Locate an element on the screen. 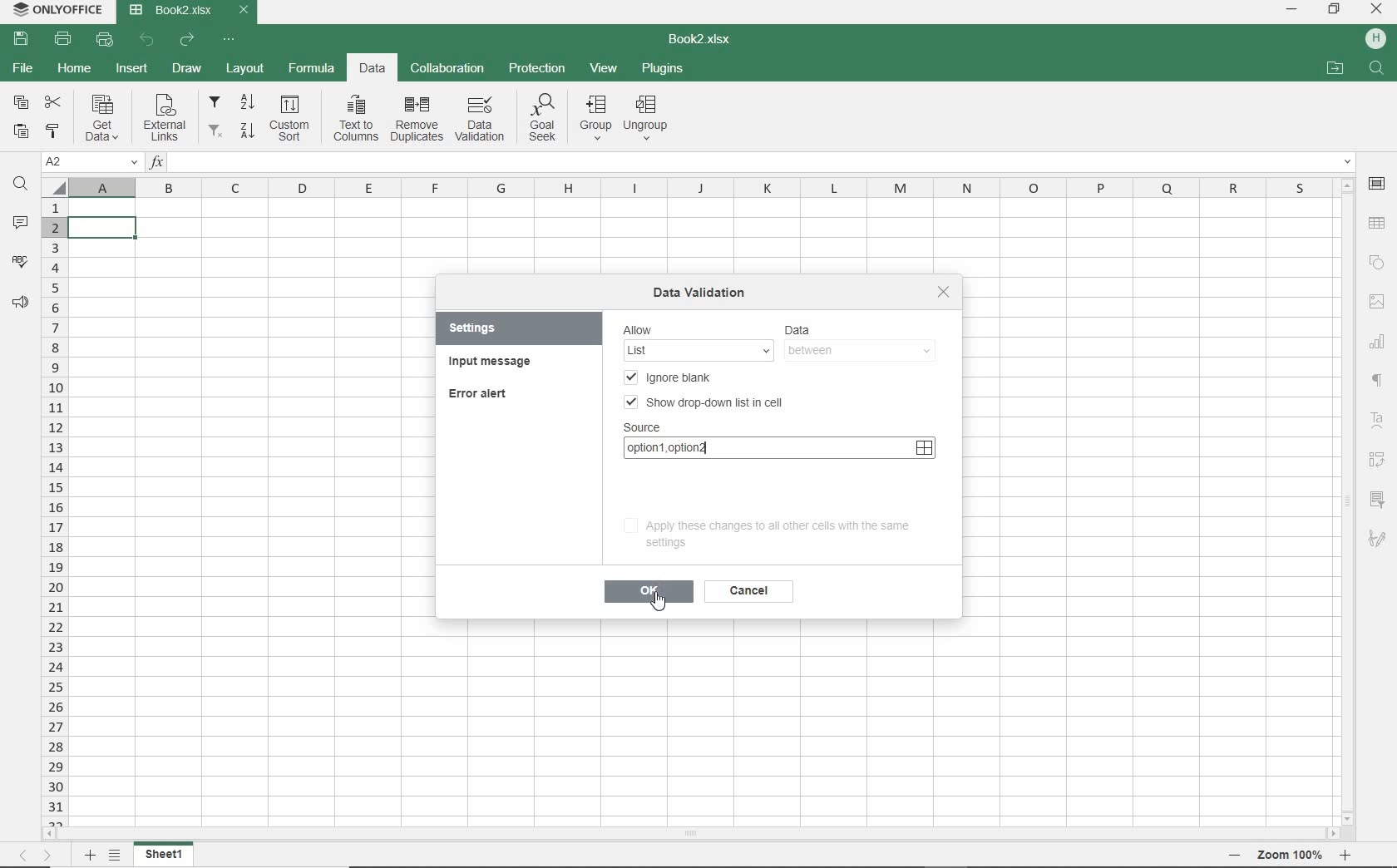  NAME MANAGER is located at coordinates (90, 163).